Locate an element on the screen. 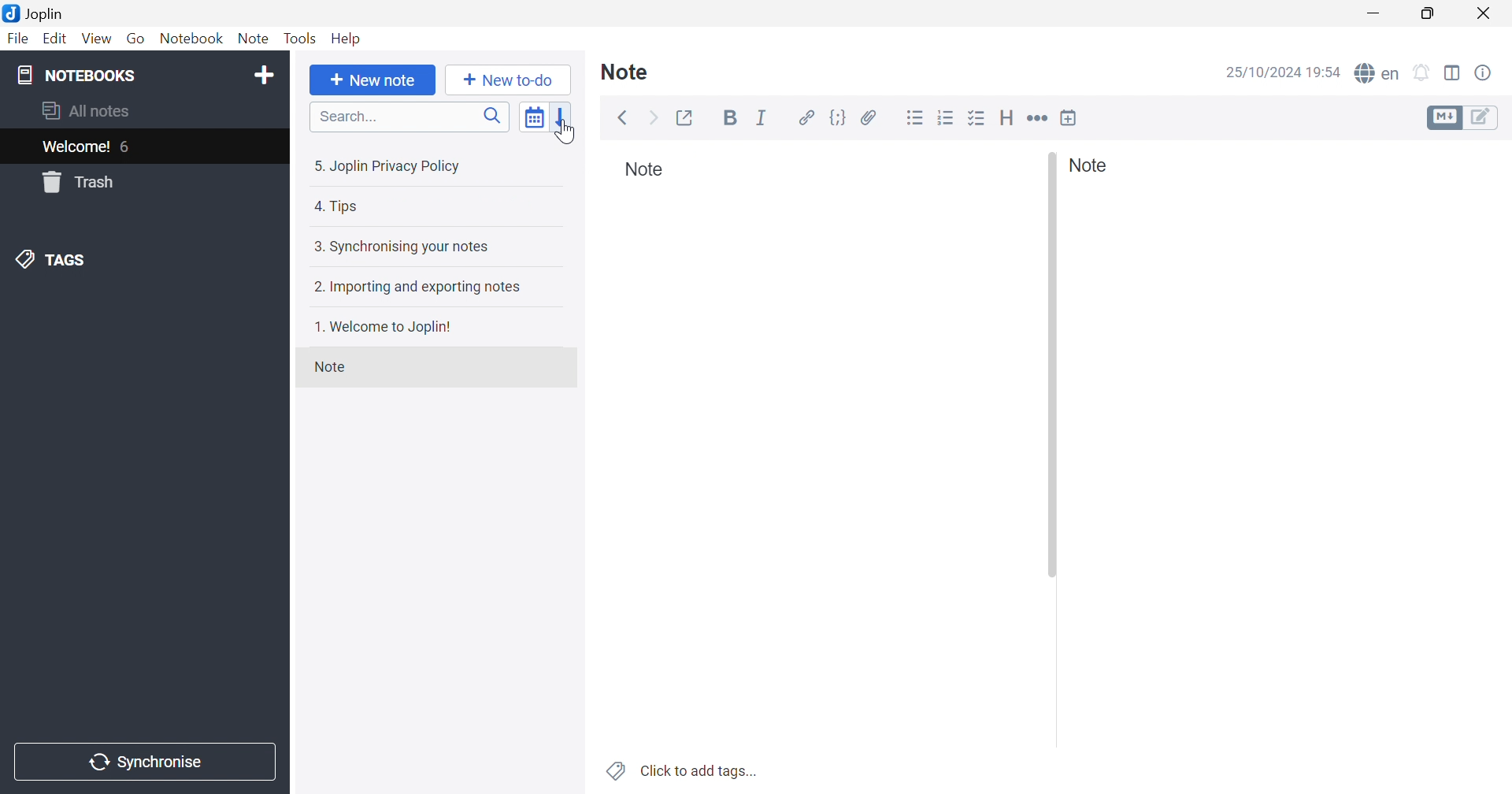 Image resolution: width=1512 pixels, height=794 pixels. Bold is located at coordinates (732, 121).